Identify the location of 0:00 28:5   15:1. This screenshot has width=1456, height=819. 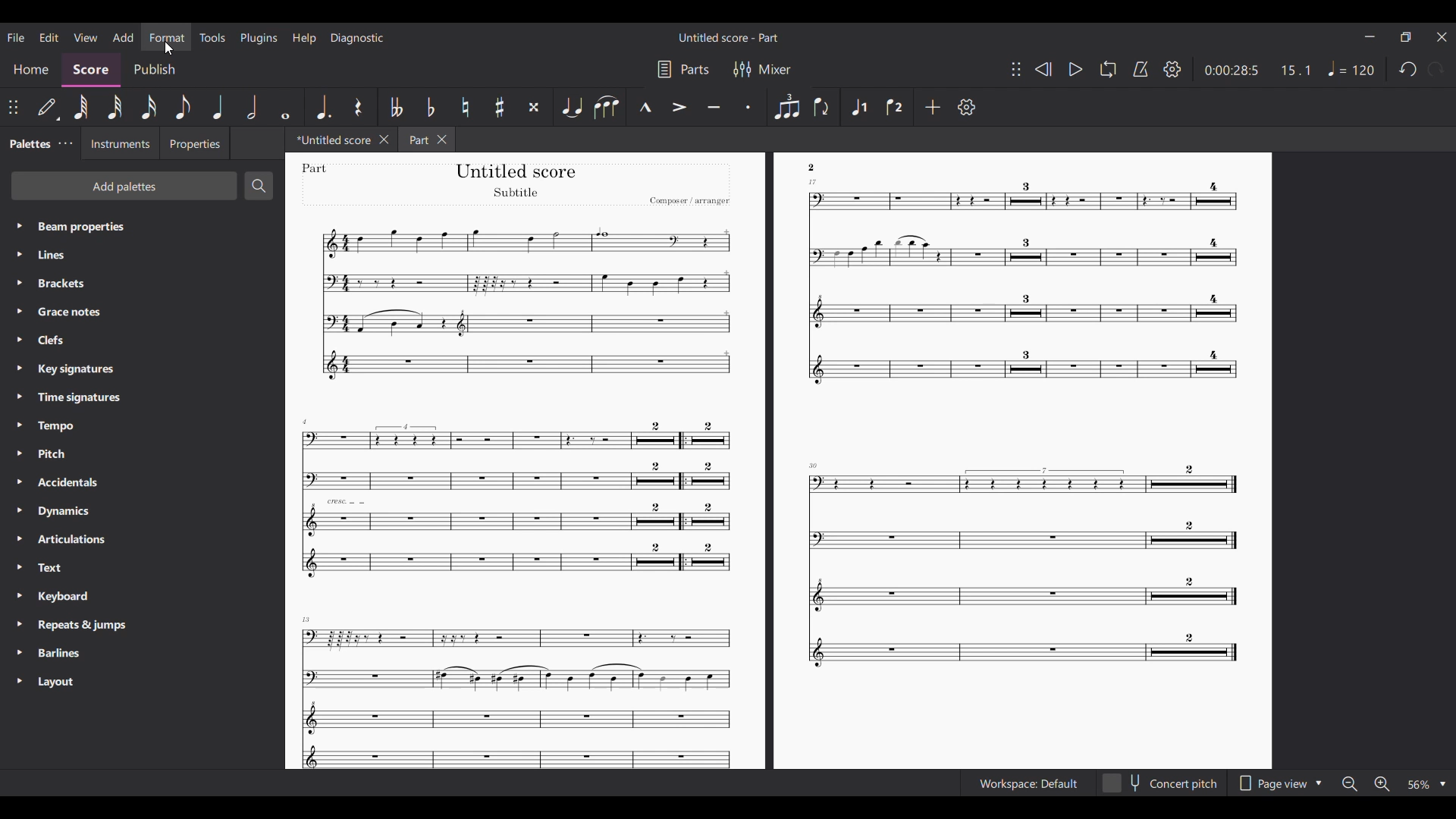
(1257, 71).